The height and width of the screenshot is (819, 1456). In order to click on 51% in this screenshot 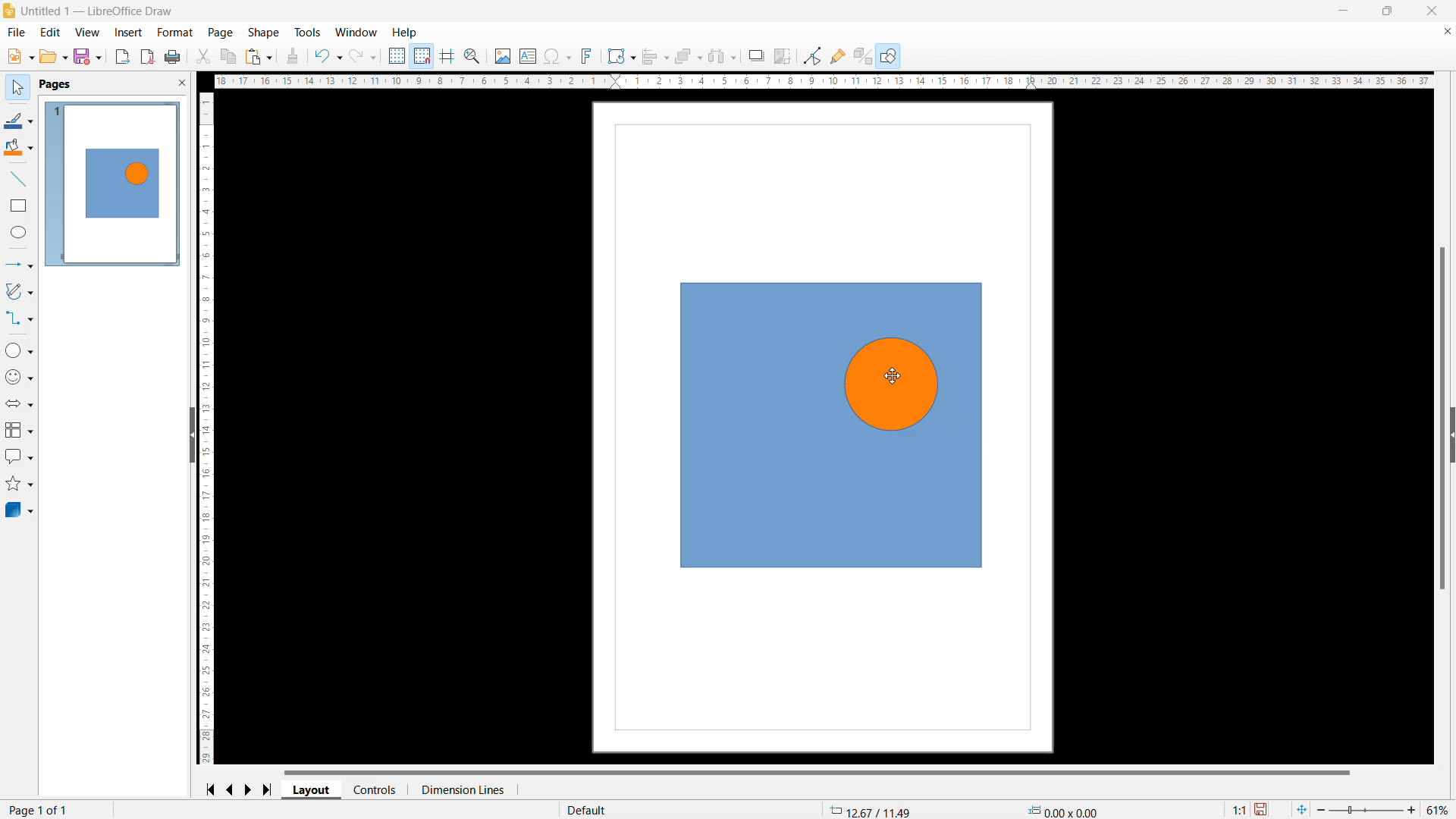, I will do `click(1437, 808)`.